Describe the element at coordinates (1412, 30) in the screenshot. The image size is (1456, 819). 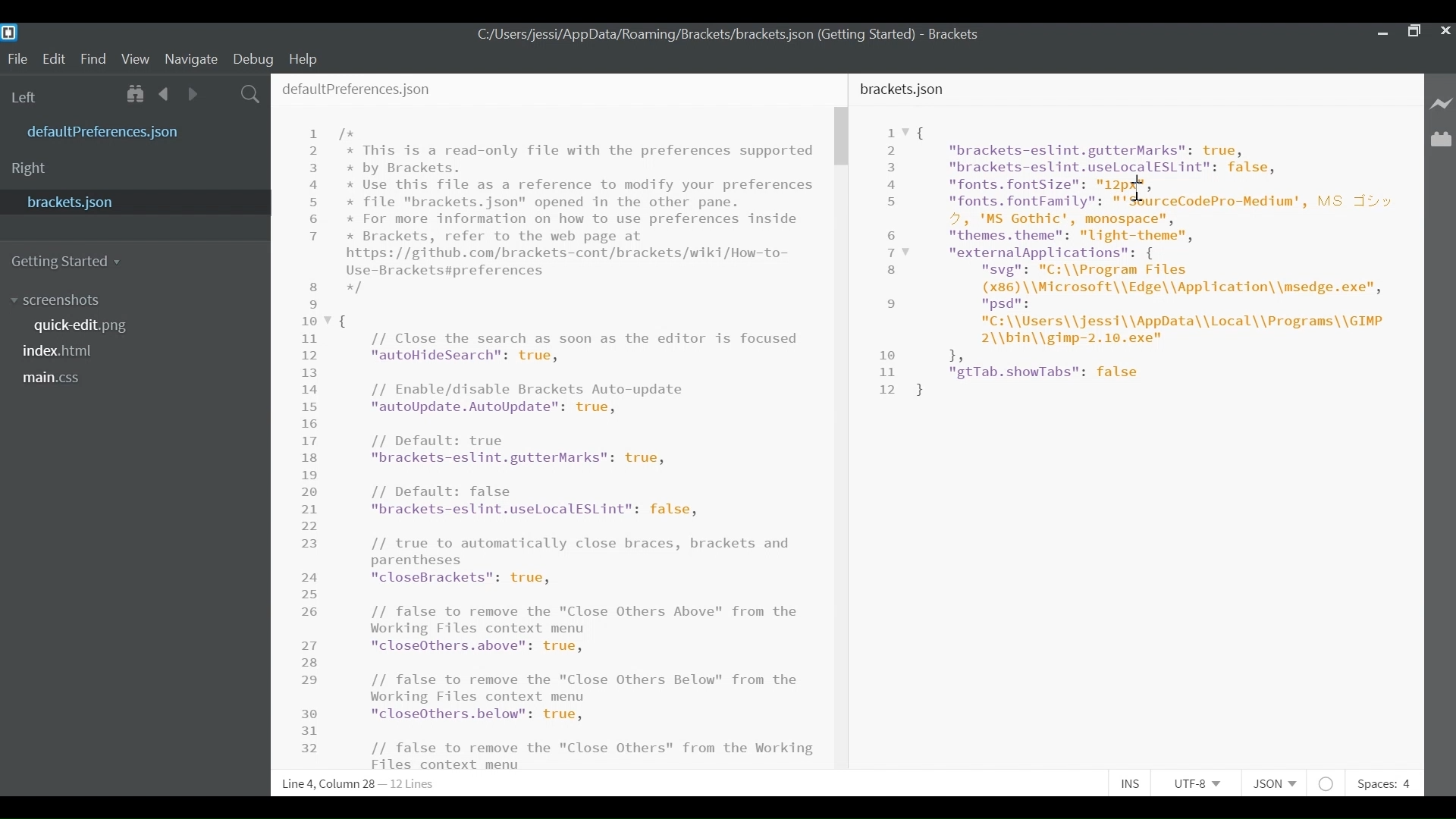
I see `Restore` at that location.